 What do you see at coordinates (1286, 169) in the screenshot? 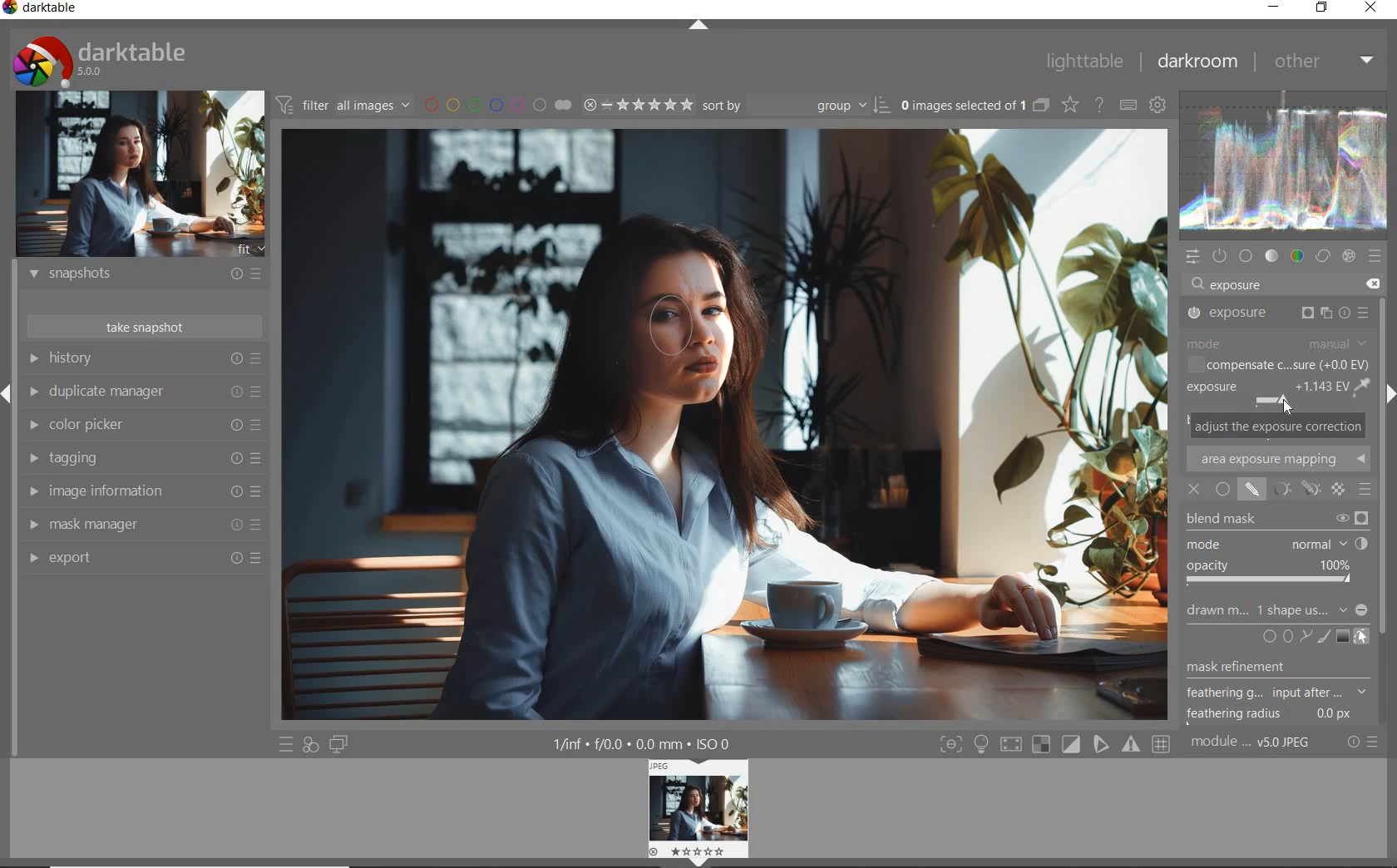
I see `waveform` at bounding box center [1286, 169].